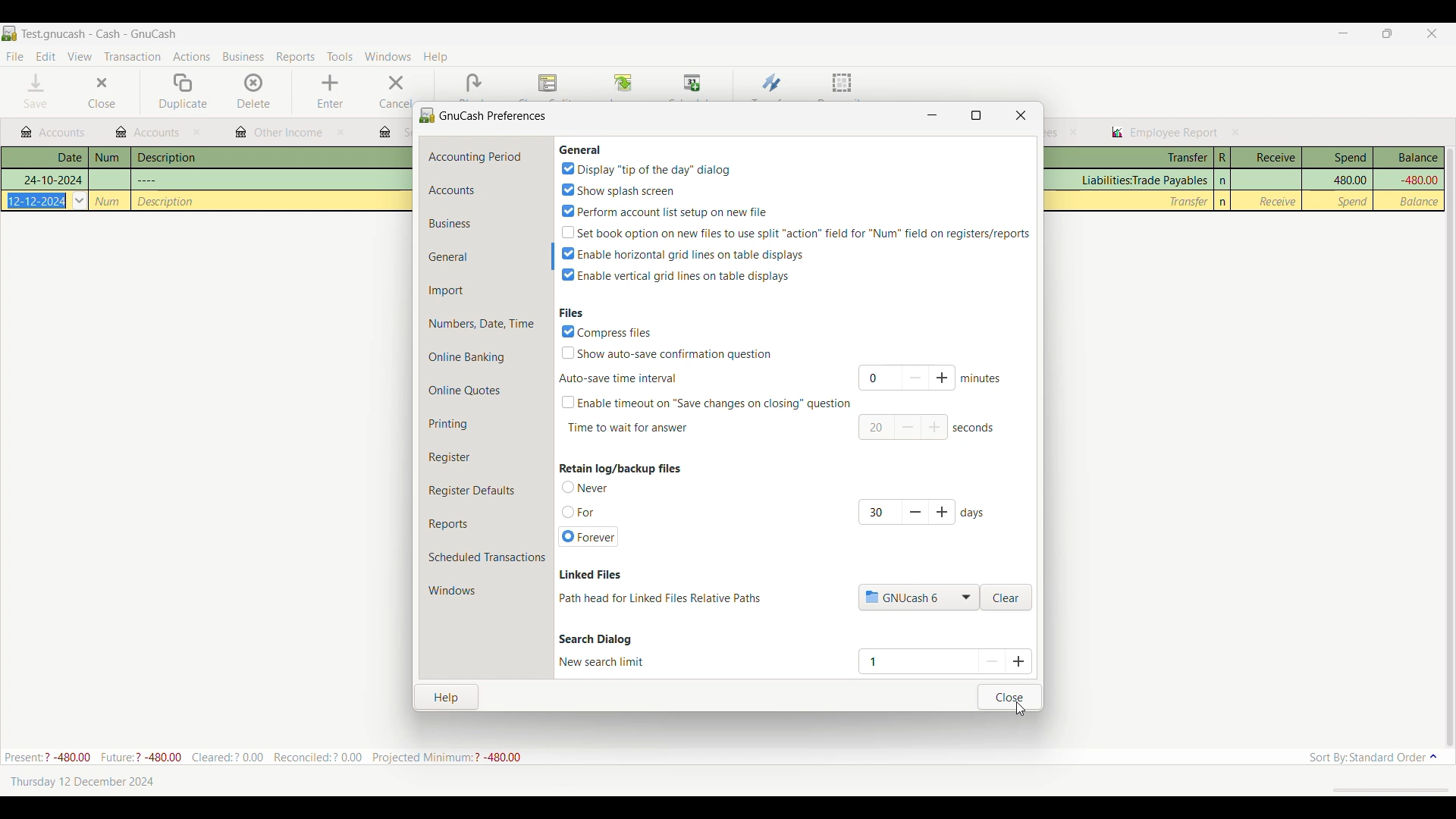  Describe the element at coordinates (1236, 132) in the screenshot. I see `close` at that location.